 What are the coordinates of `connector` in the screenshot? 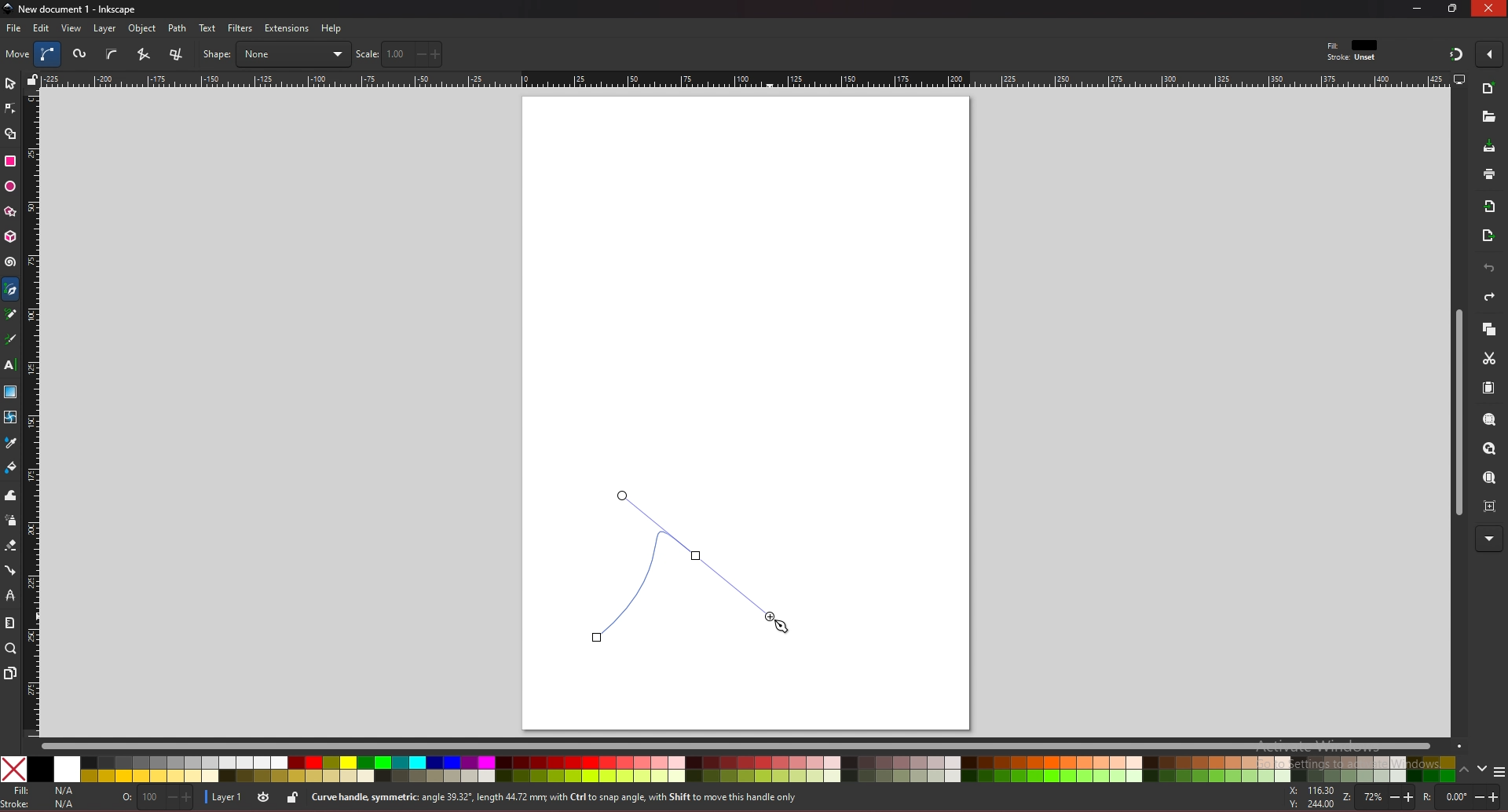 It's located at (11, 571).